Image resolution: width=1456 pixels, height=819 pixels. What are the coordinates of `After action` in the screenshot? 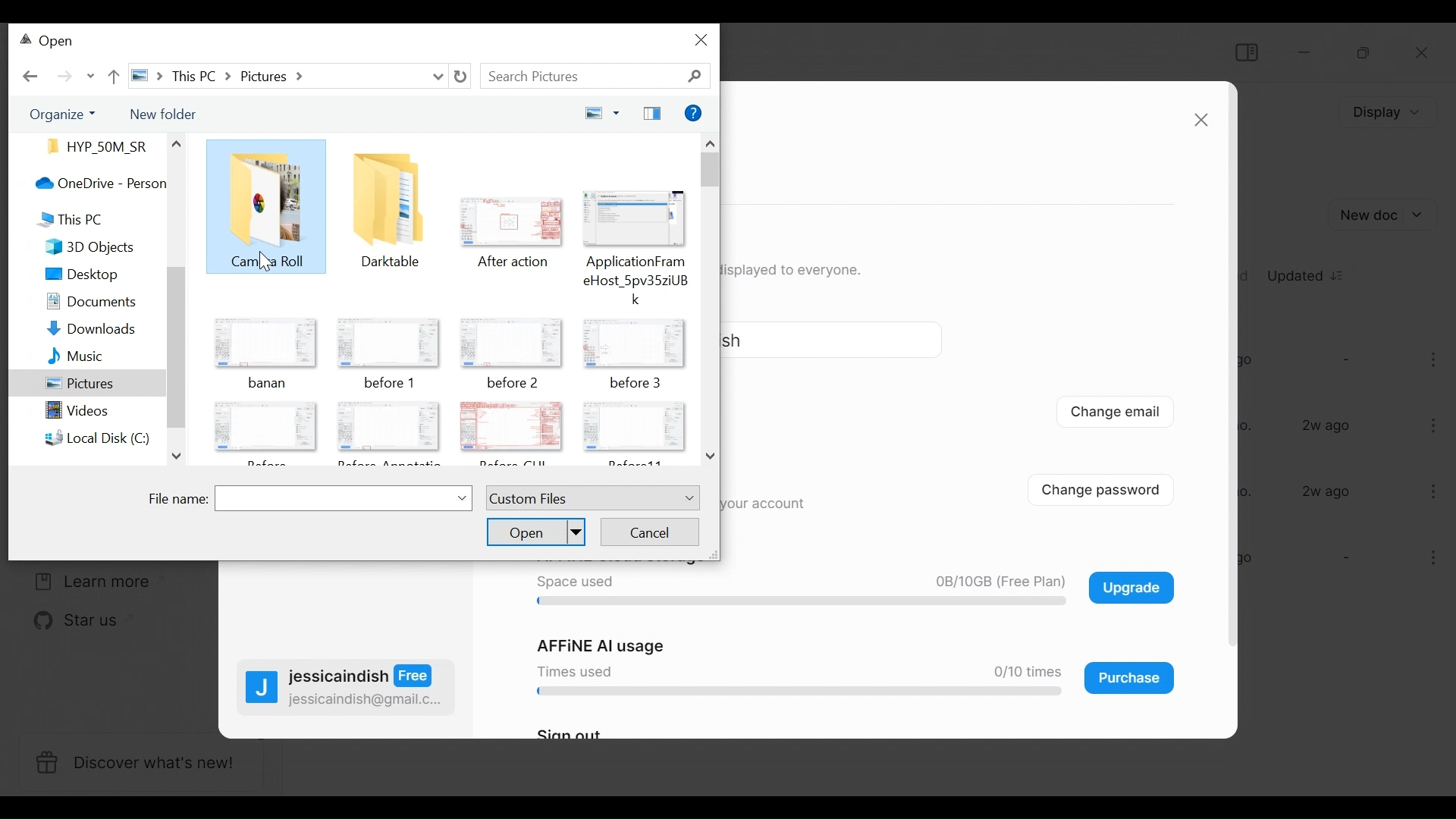 It's located at (516, 262).